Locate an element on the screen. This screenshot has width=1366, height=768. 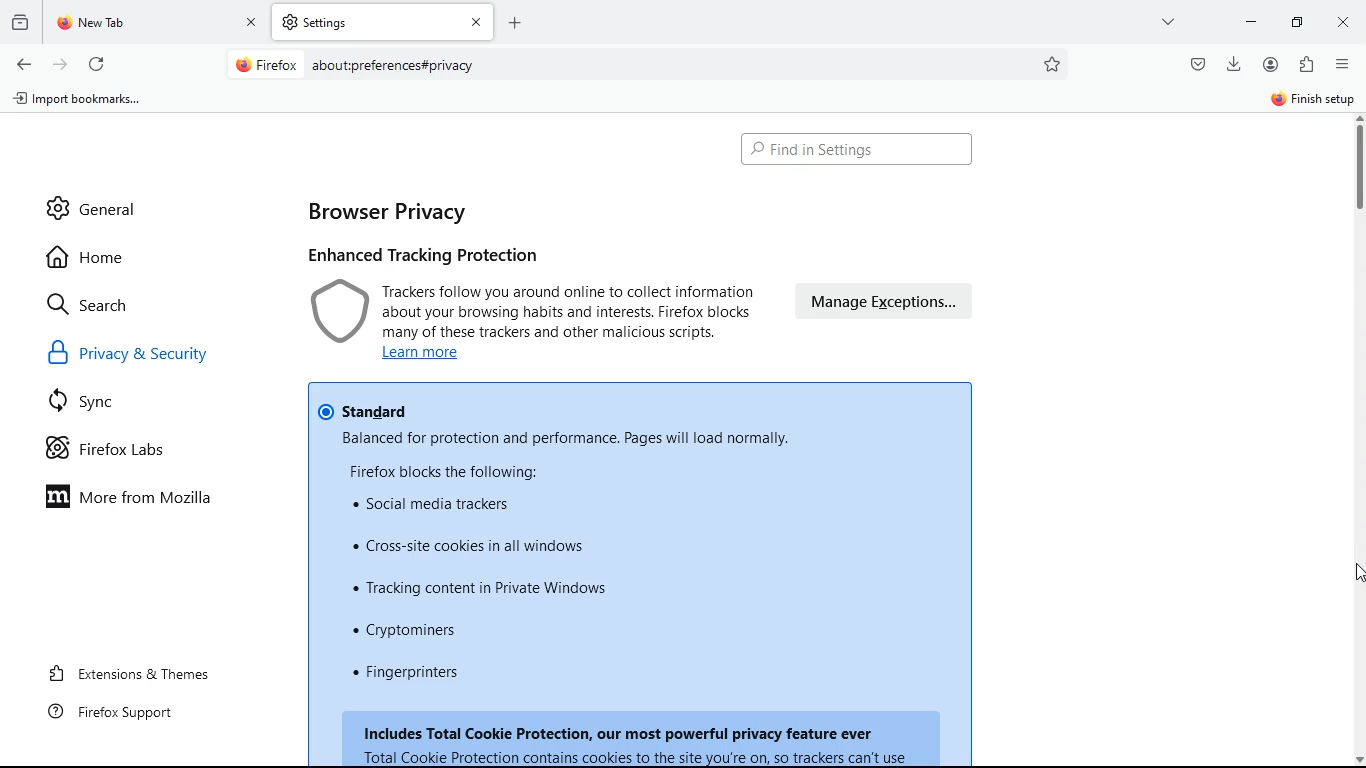
tab is located at coordinates (158, 23).